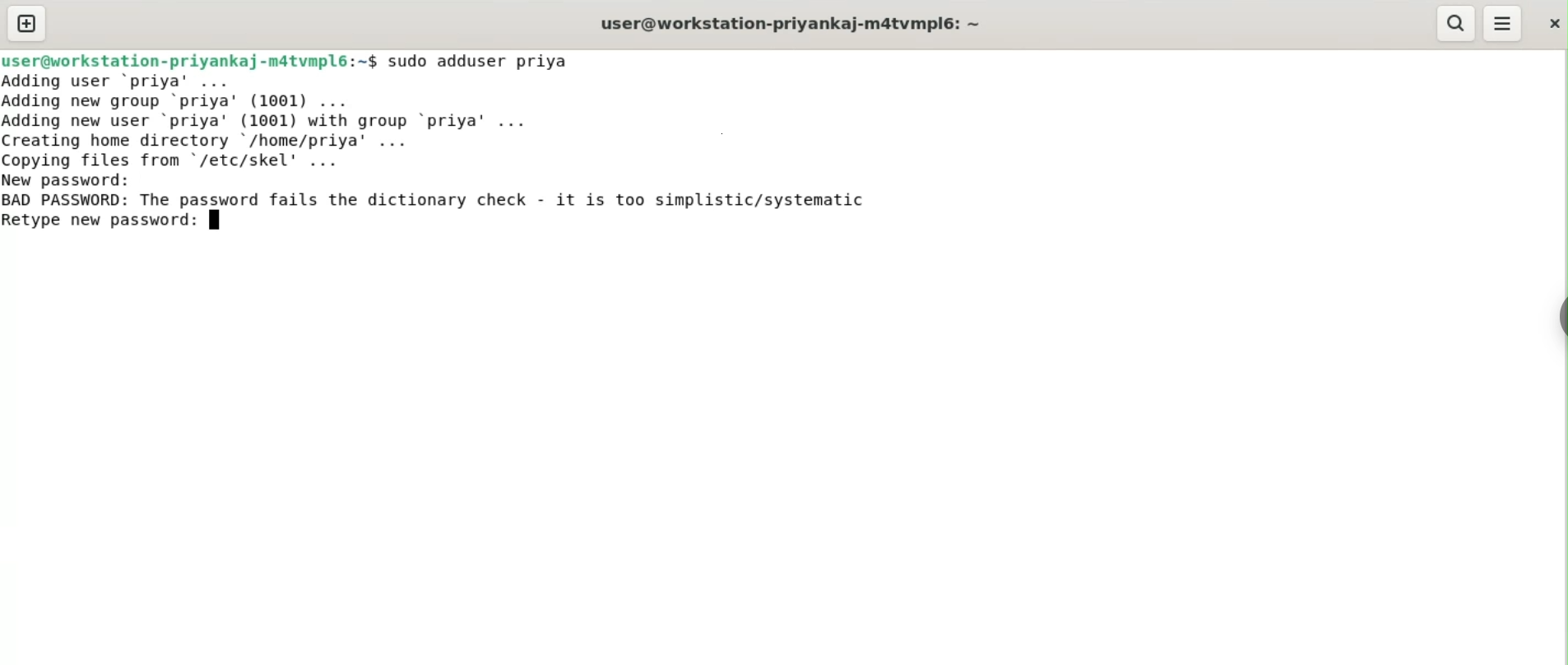 This screenshot has height=665, width=1568. What do you see at coordinates (79, 179) in the screenshot?
I see `new password` at bounding box center [79, 179].